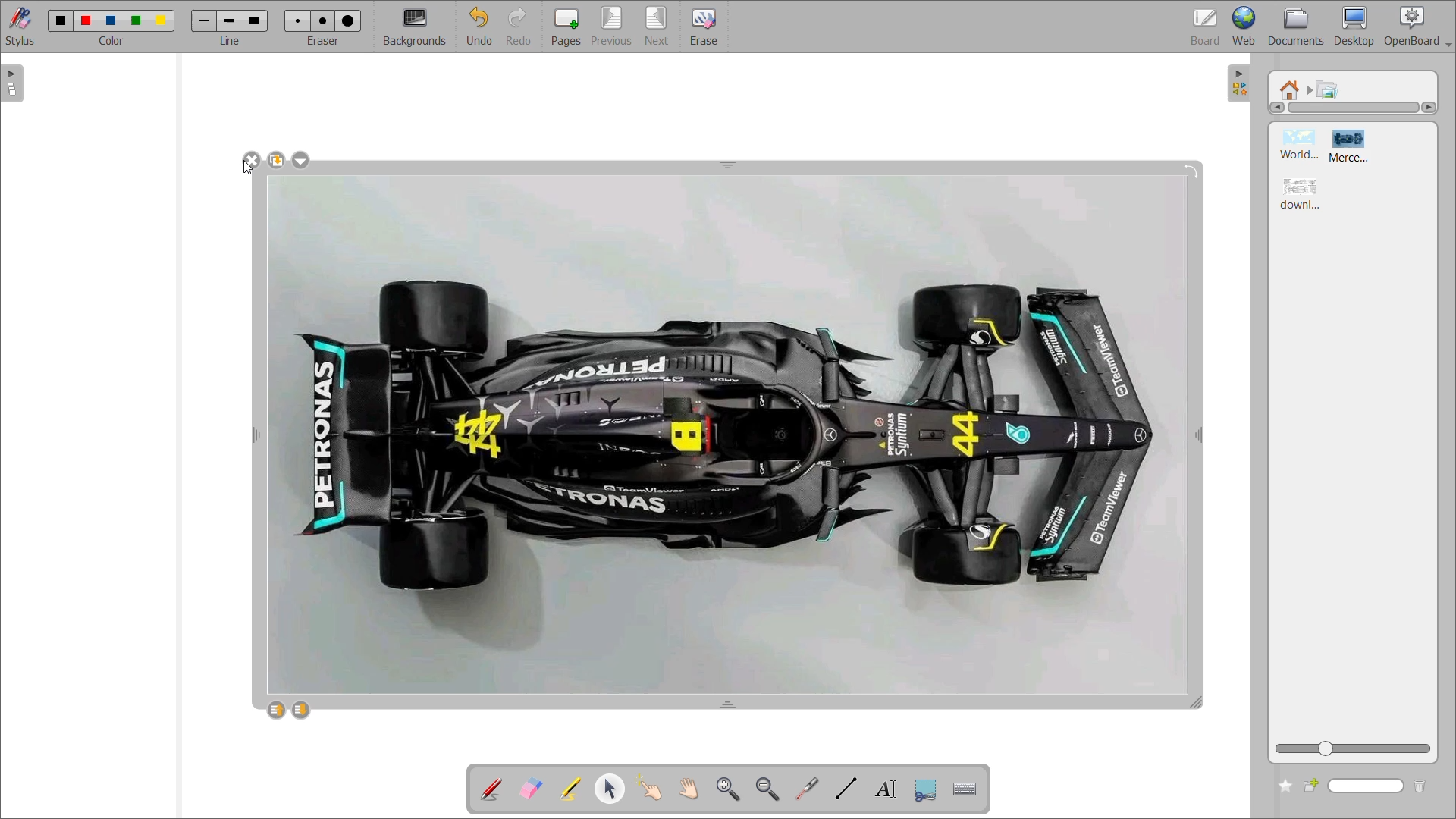 Image resolution: width=1456 pixels, height=819 pixels. I want to click on double arrow, so click(1201, 437).